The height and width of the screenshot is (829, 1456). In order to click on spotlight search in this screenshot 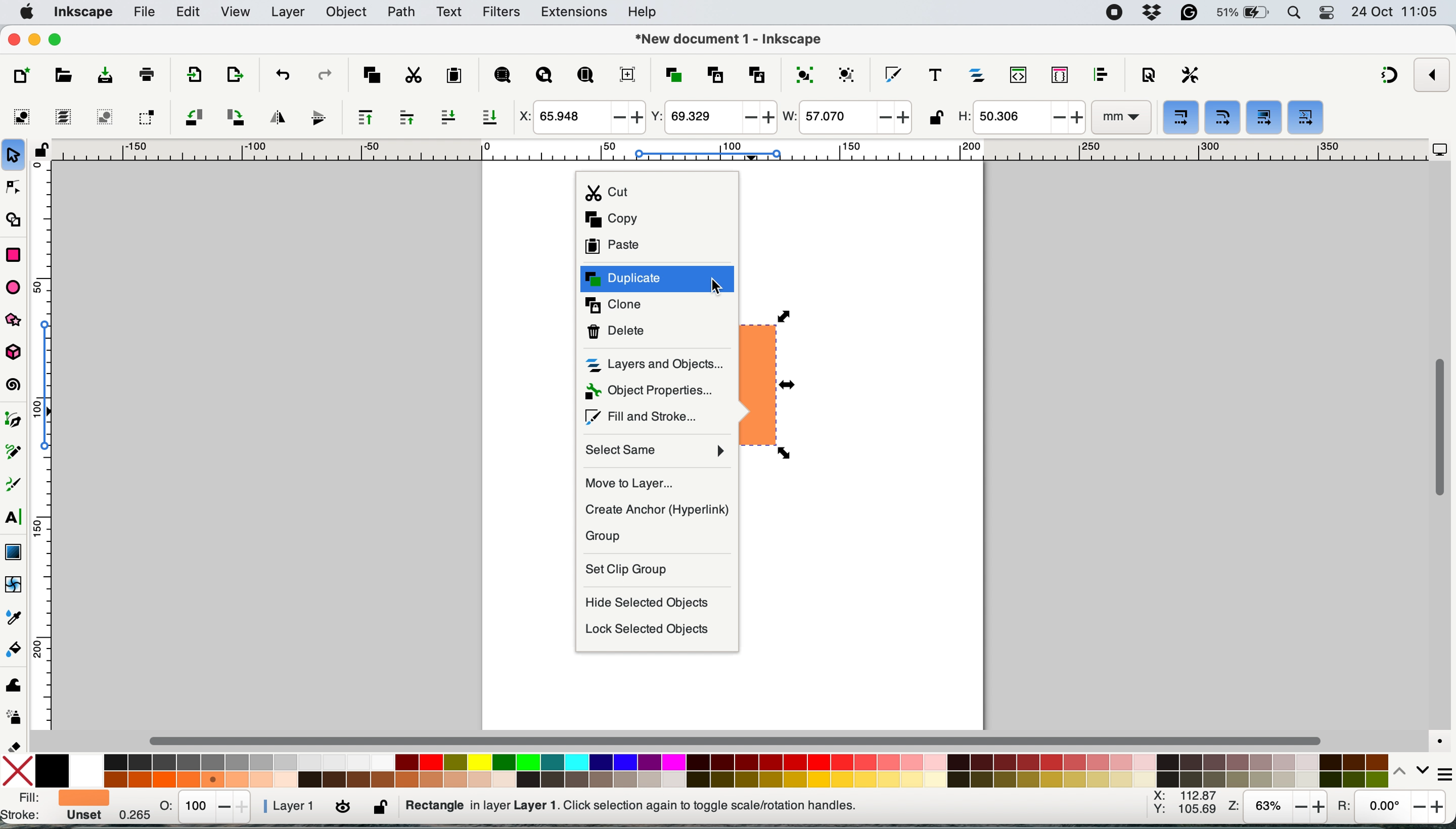, I will do `click(1295, 14)`.